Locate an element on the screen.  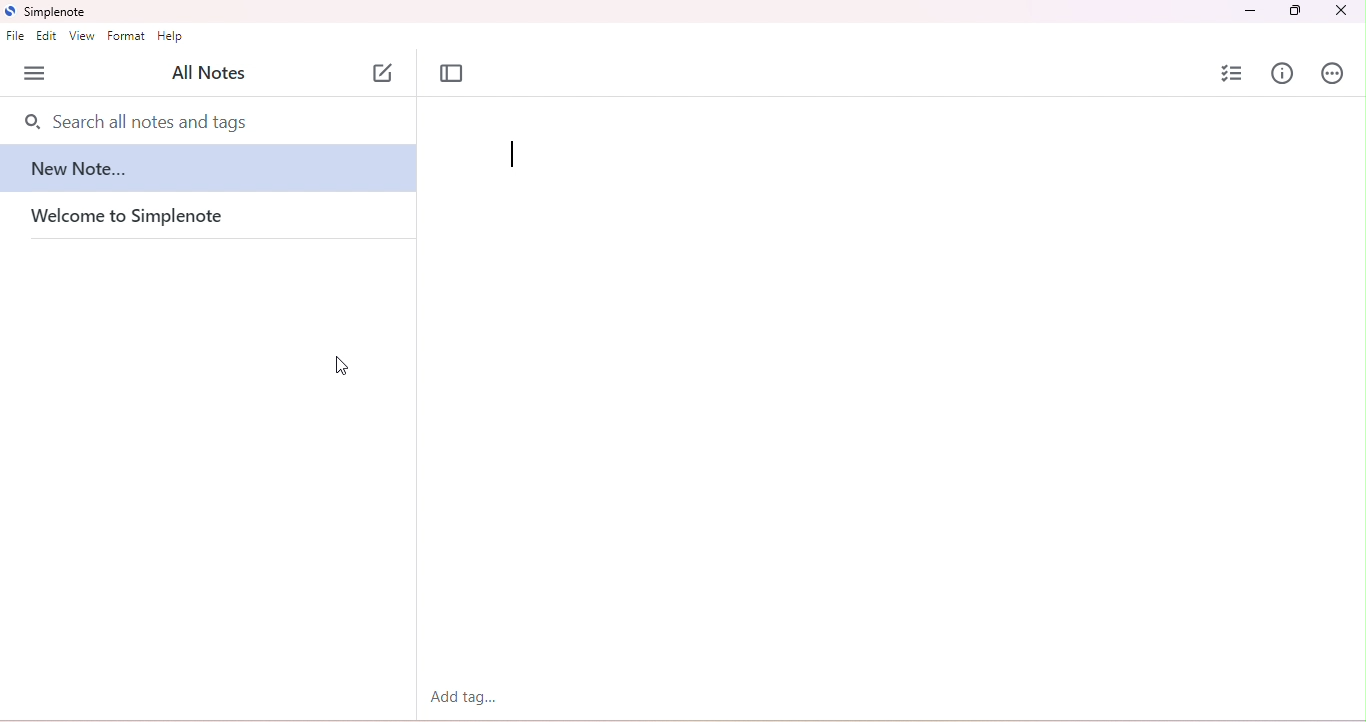
new note is located at coordinates (210, 173).